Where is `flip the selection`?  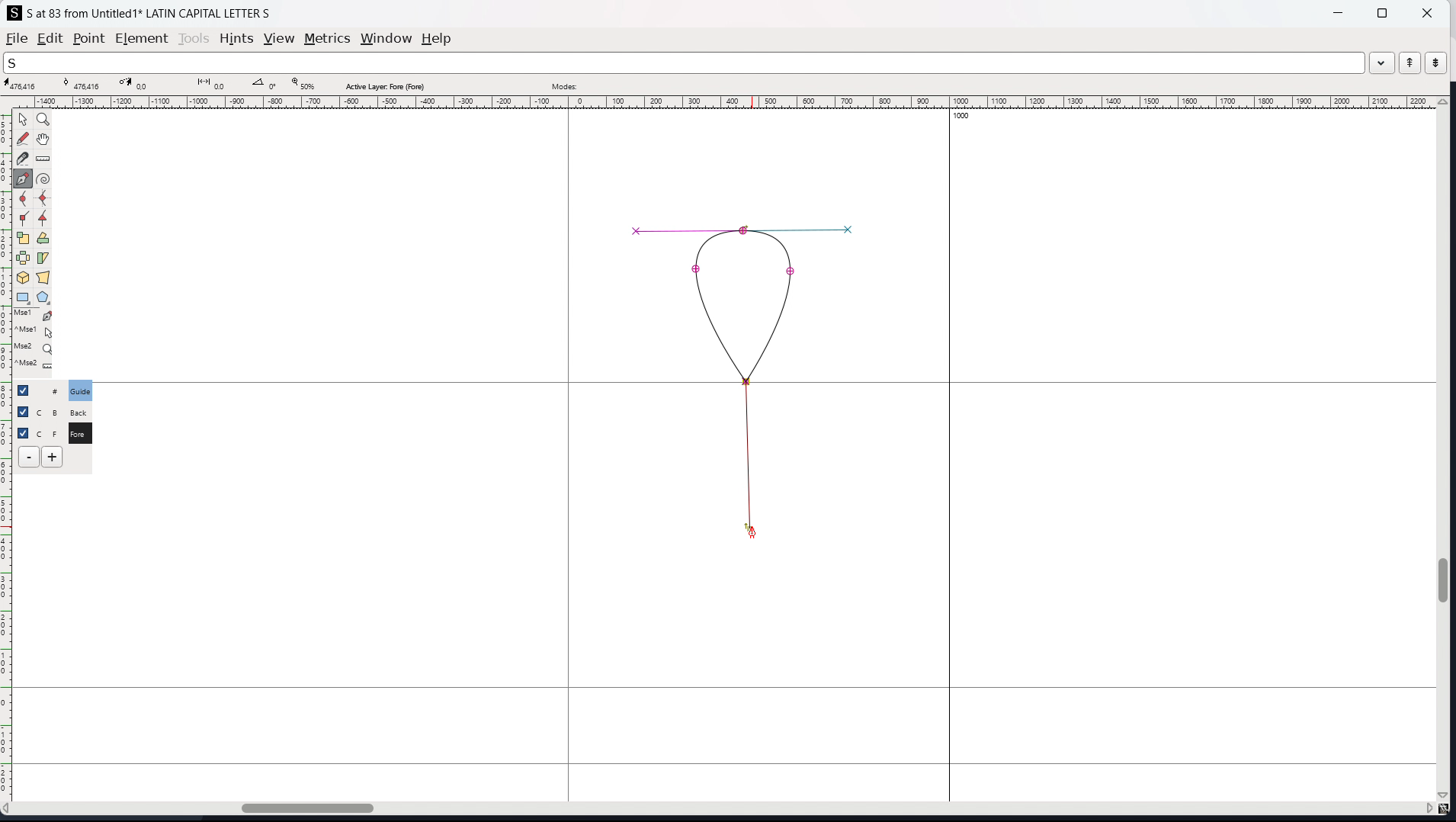 flip the selection is located at coordinates (23, 258).